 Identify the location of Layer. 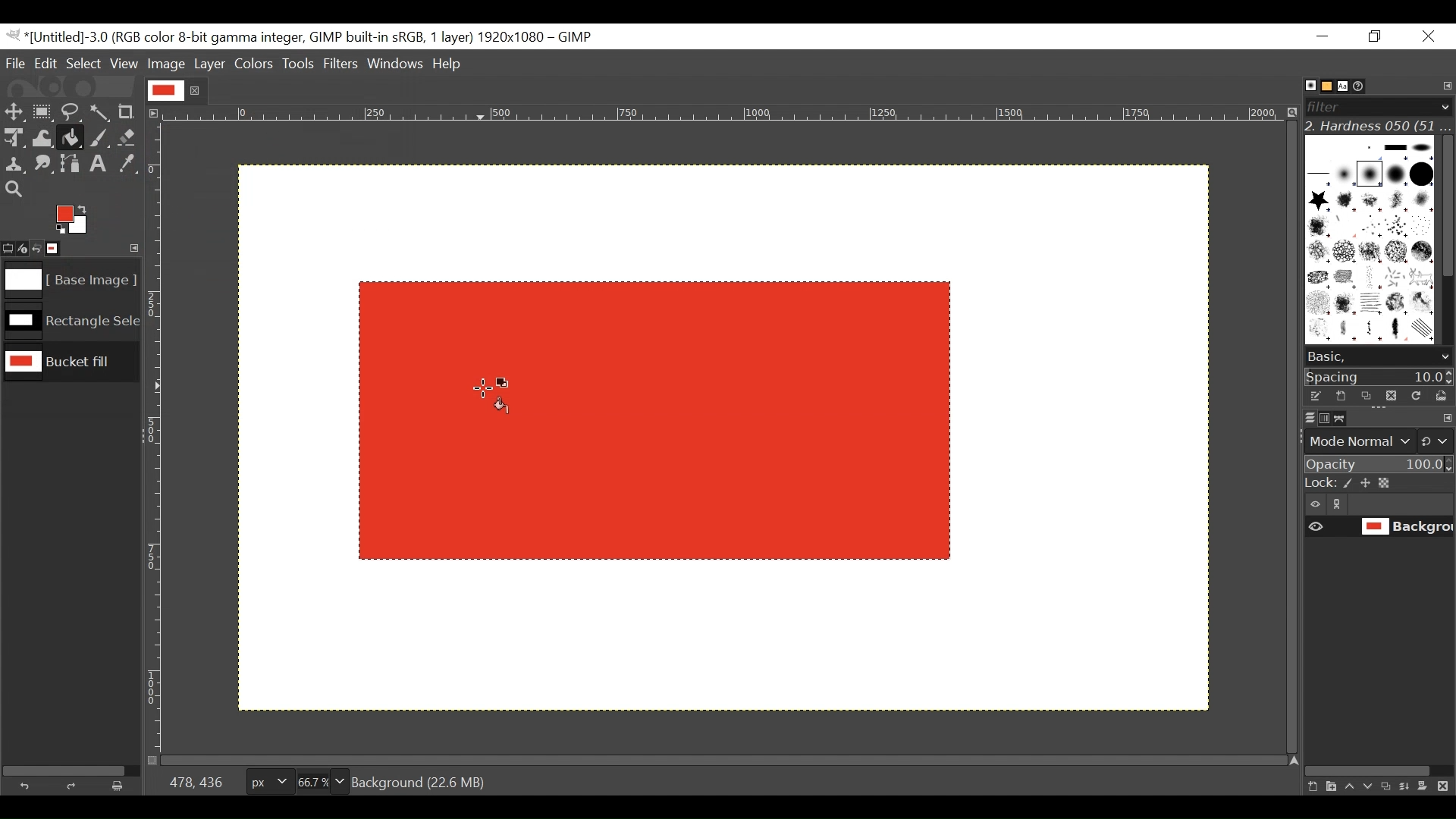
(209, 63).